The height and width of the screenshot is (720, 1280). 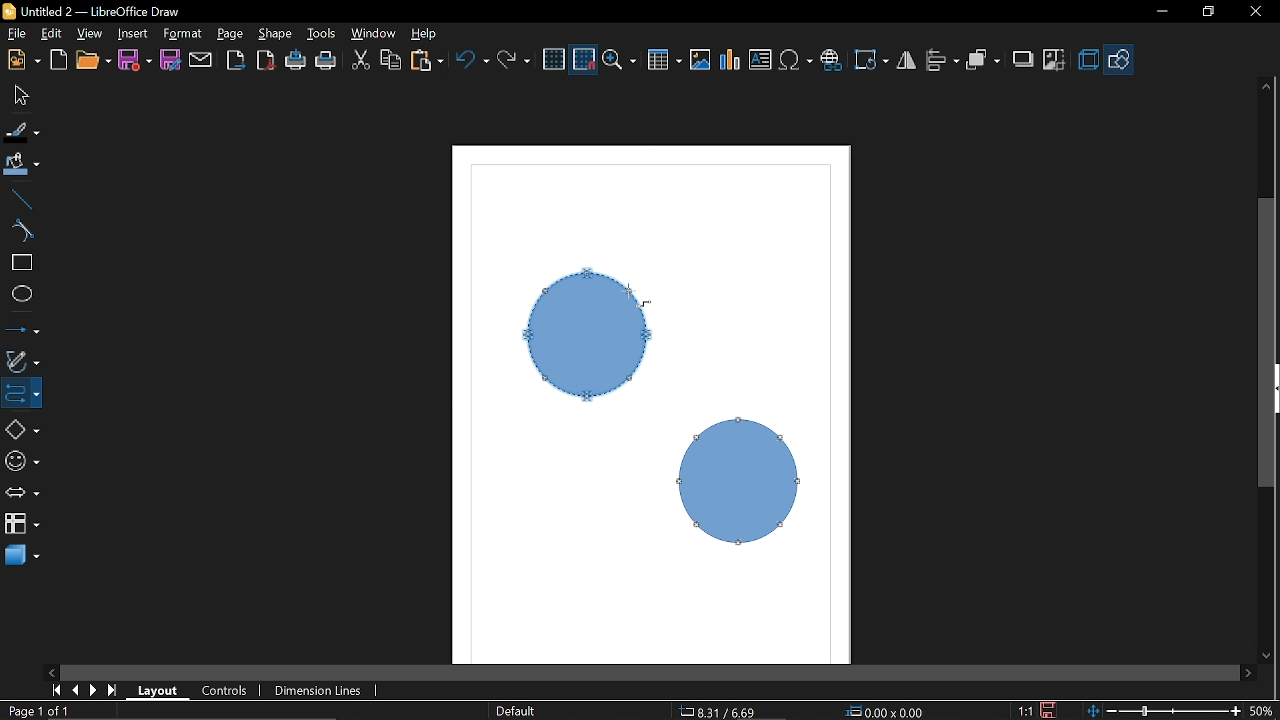 What do you see at coordinates (55, 33) in the screenshot?
I see `edit` at bounding box center [55, 33].